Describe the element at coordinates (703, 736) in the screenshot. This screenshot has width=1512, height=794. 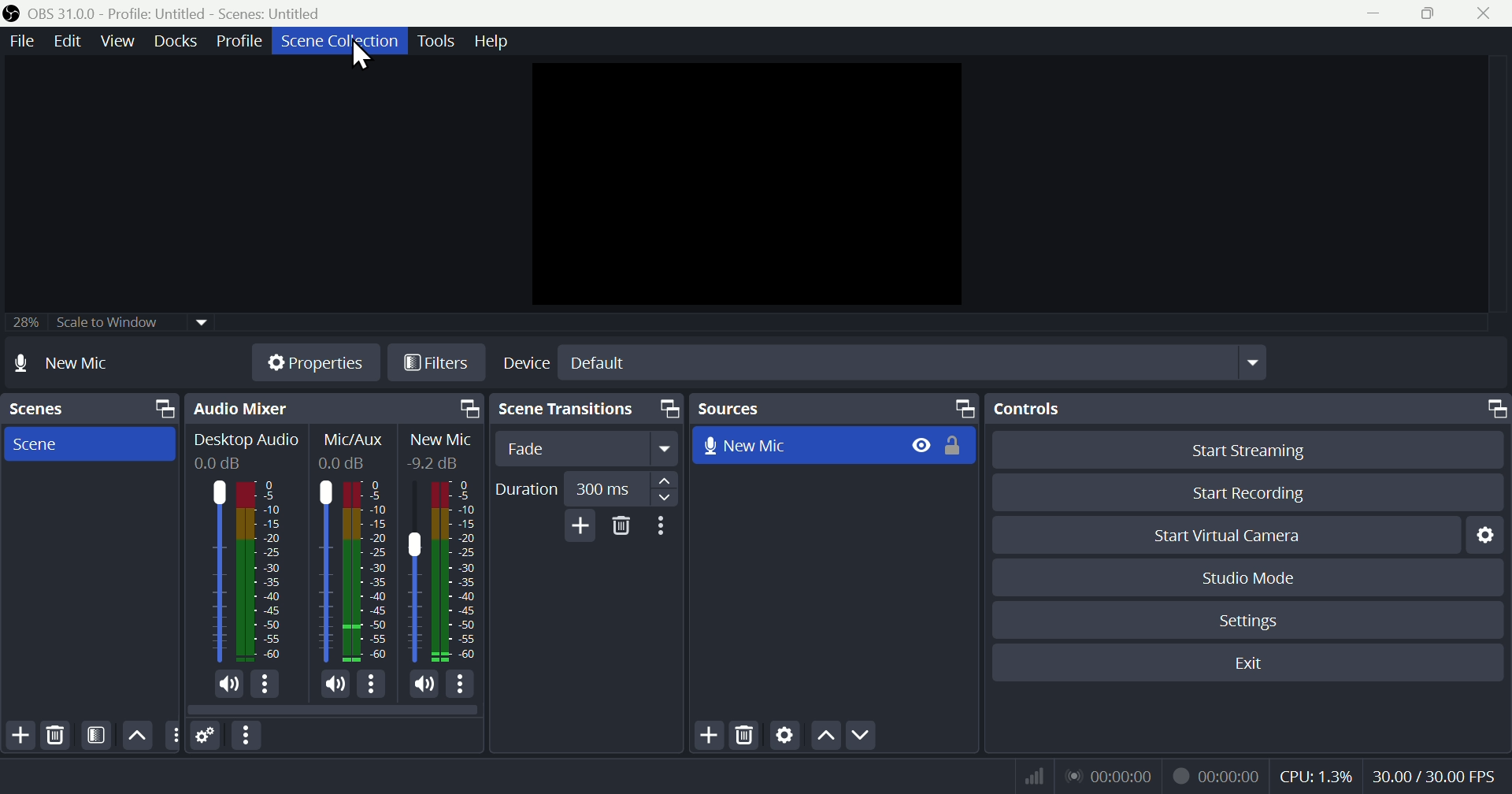
I see `Add` at that location.